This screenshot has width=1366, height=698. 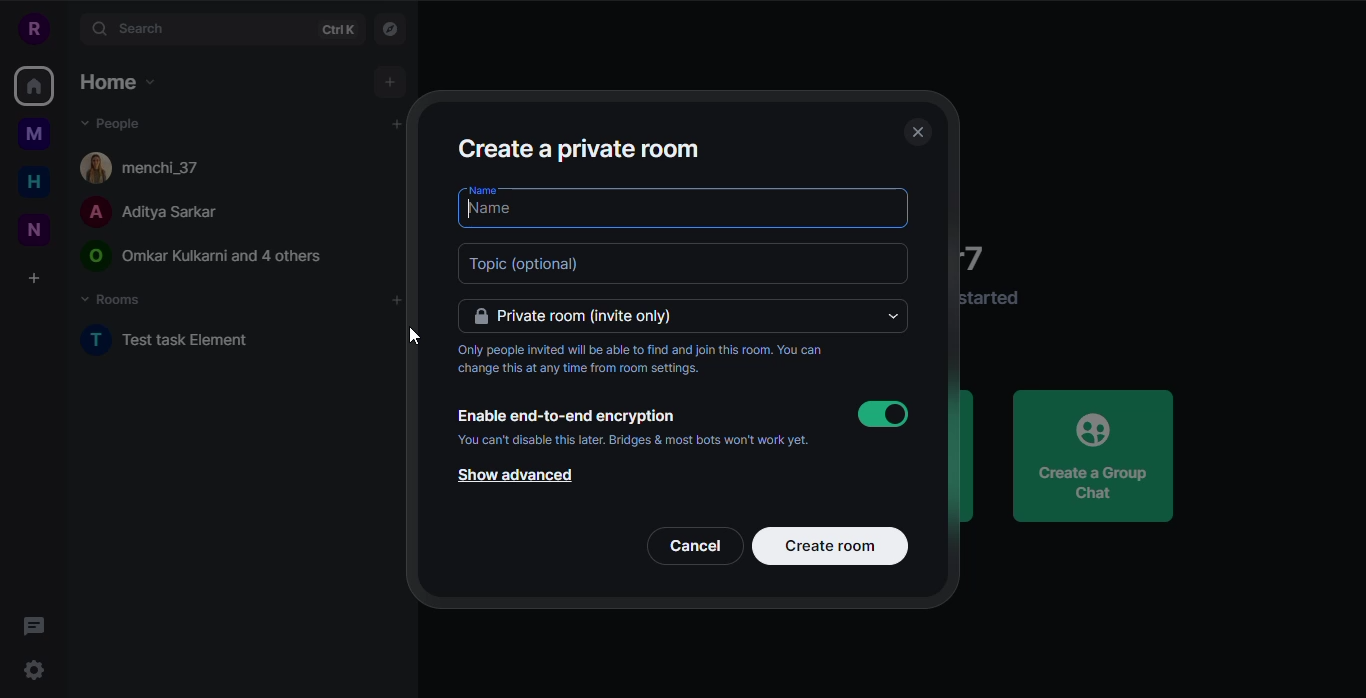 I want to click on cursor, so click(x=412, y=337).